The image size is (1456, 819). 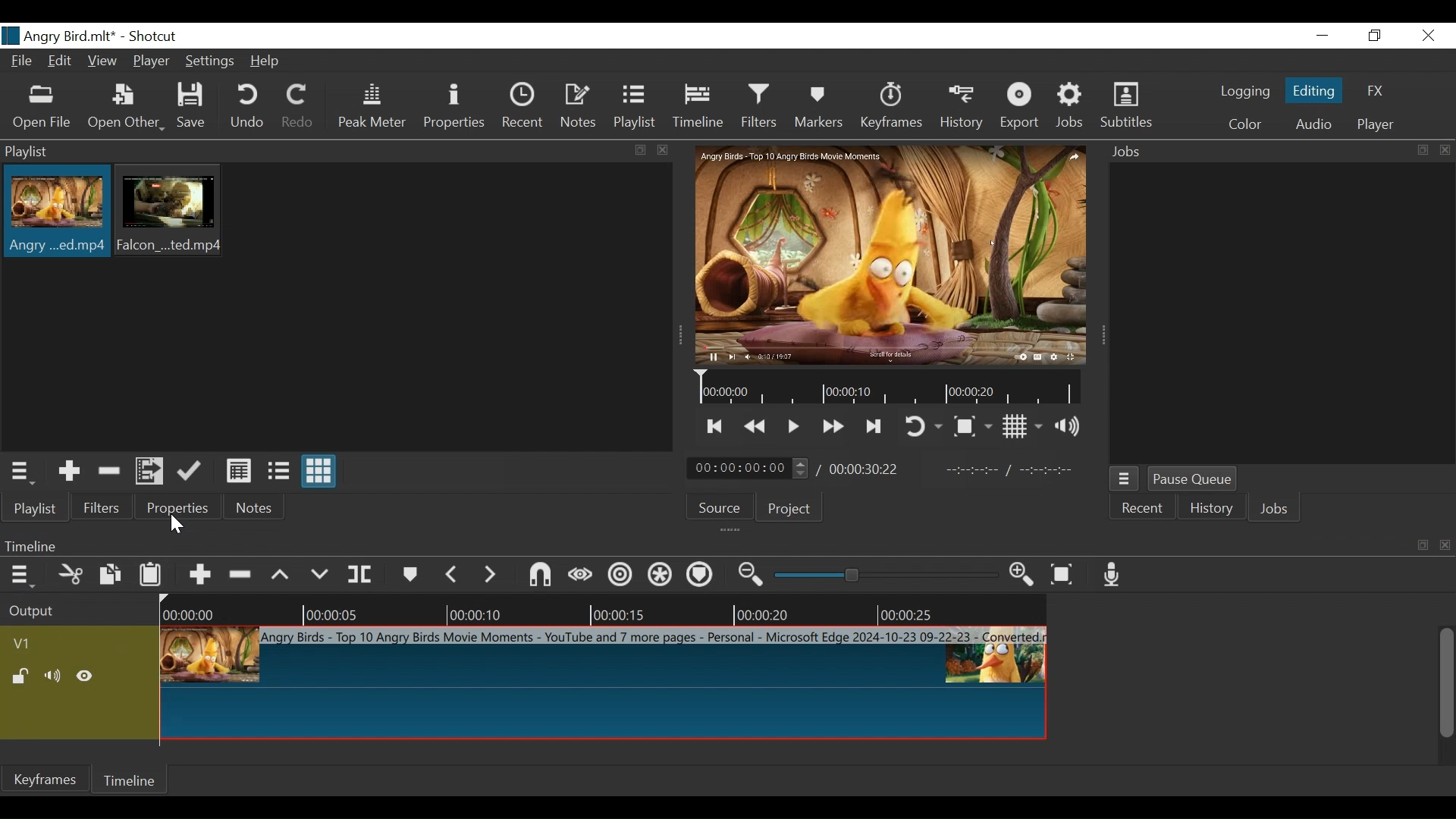 I want to click on Ripple Markers, so click(x=702, y=578).